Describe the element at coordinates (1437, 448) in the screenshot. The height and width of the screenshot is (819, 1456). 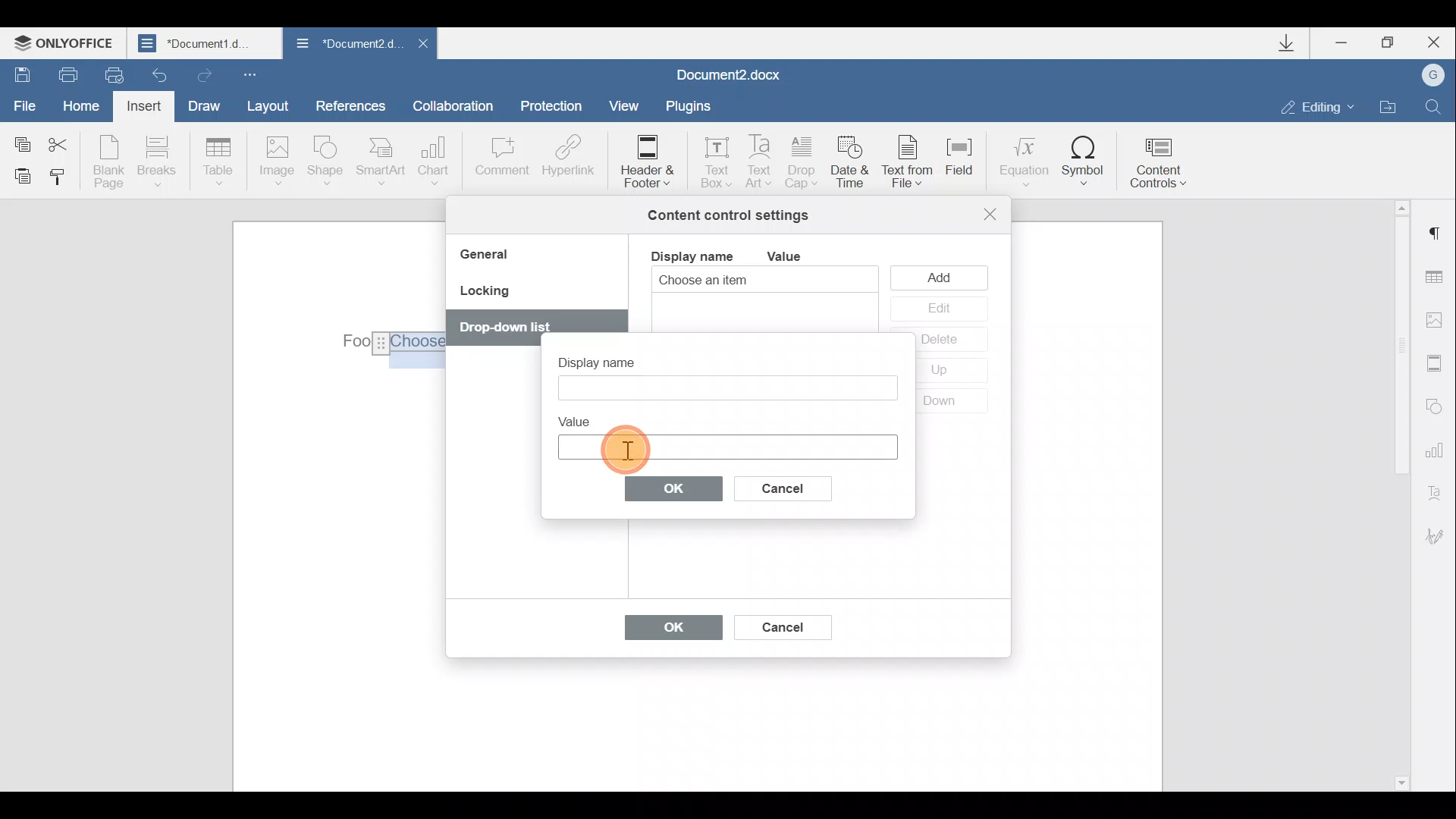
I see `Chart settings` at that location.